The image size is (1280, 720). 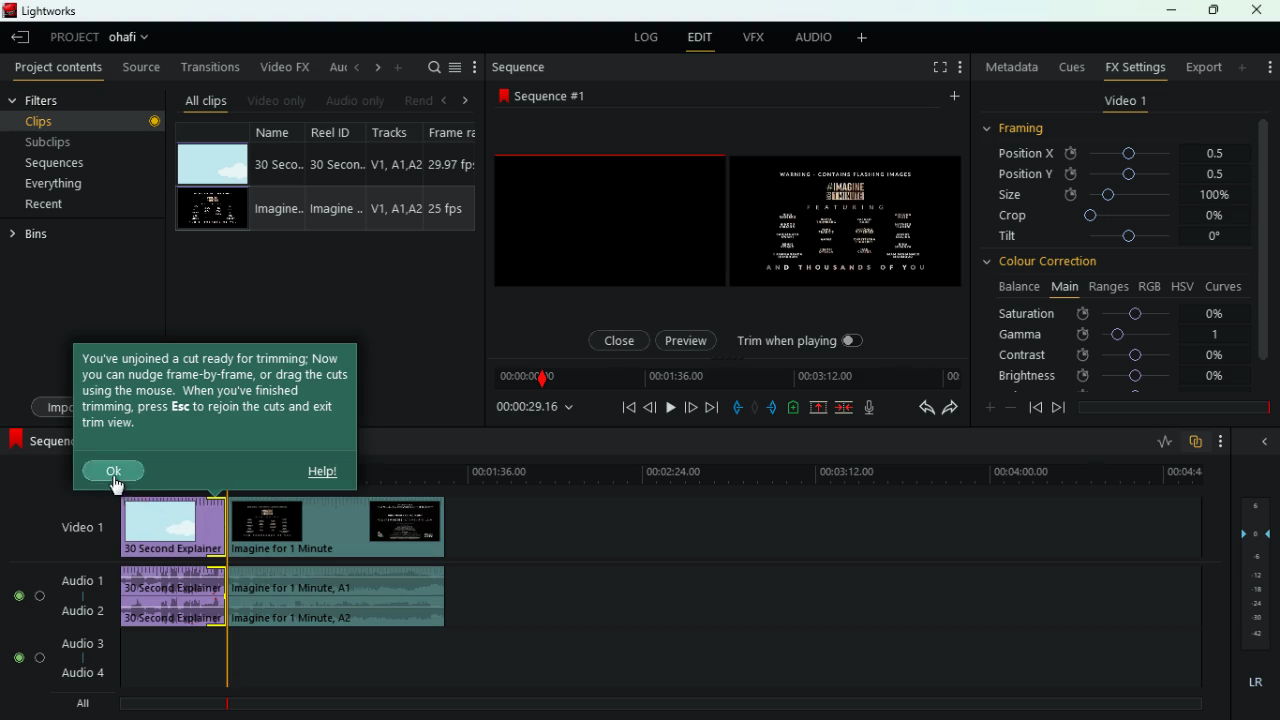 What do you see at coordinates (455, 67) in the screenshot?
I see `menu` at bounding box center [455, 67].